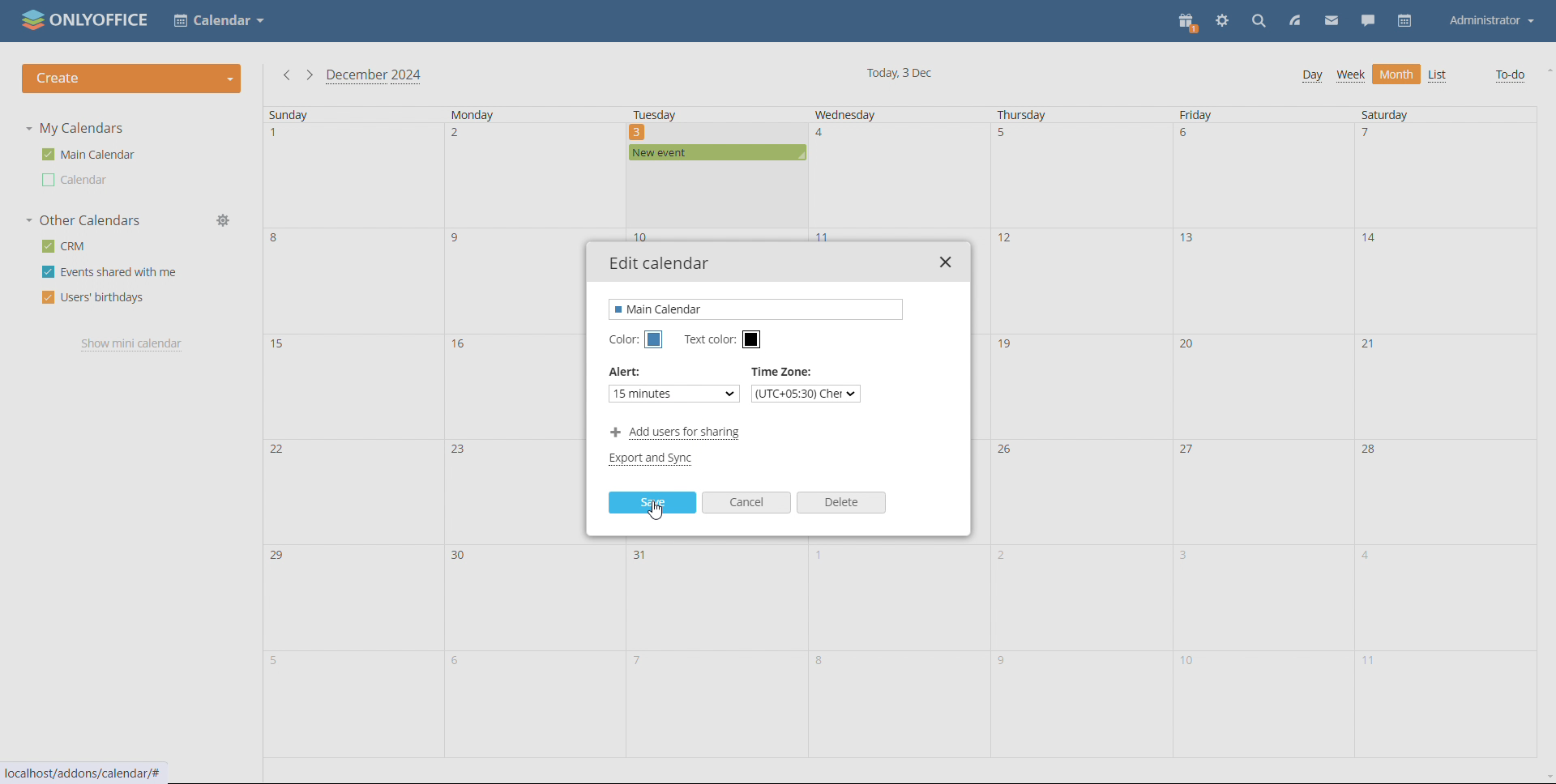 The image size is (1556, 784). I want to click on date, so click(1262, 177).